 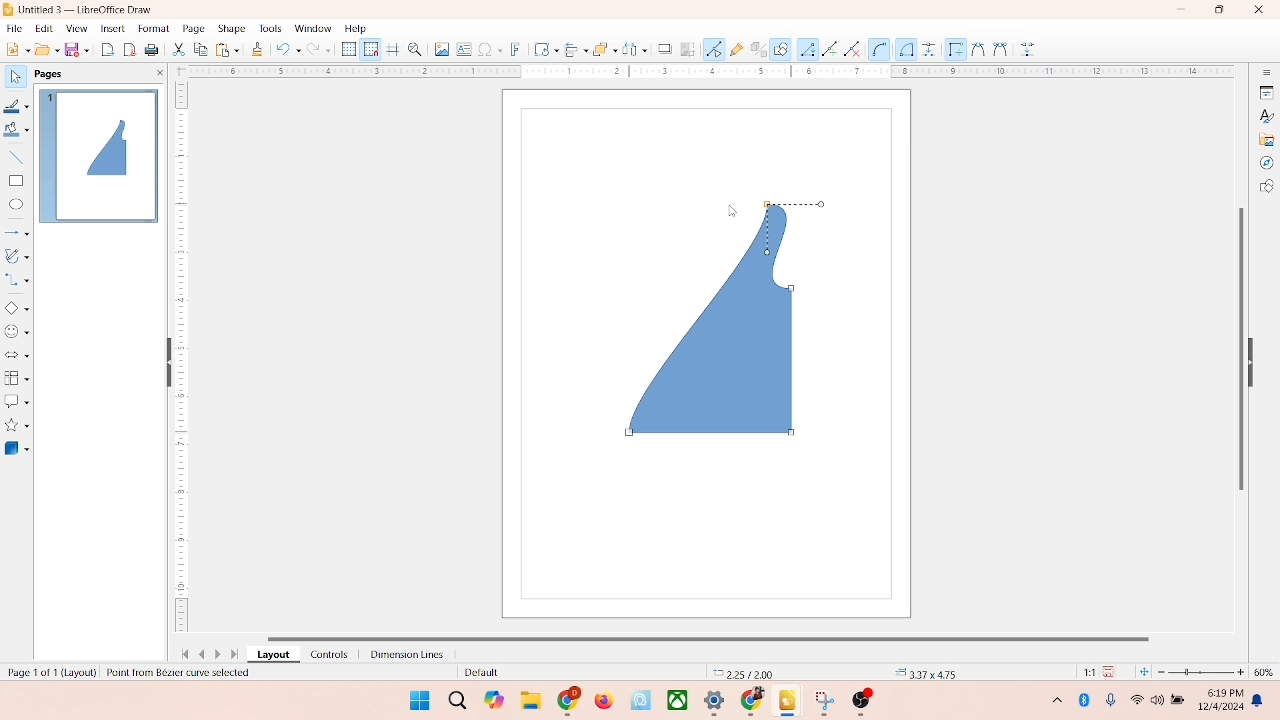 I want to click on connector, so click(x=18, y=280).